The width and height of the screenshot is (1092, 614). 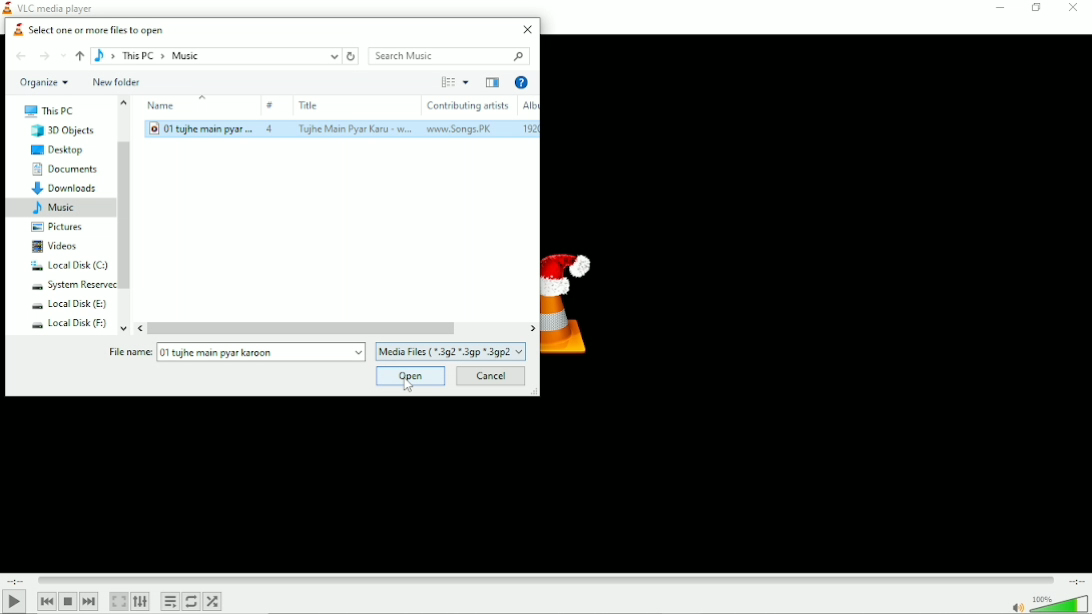 I want to click on Back, so click(x=20, y=55).